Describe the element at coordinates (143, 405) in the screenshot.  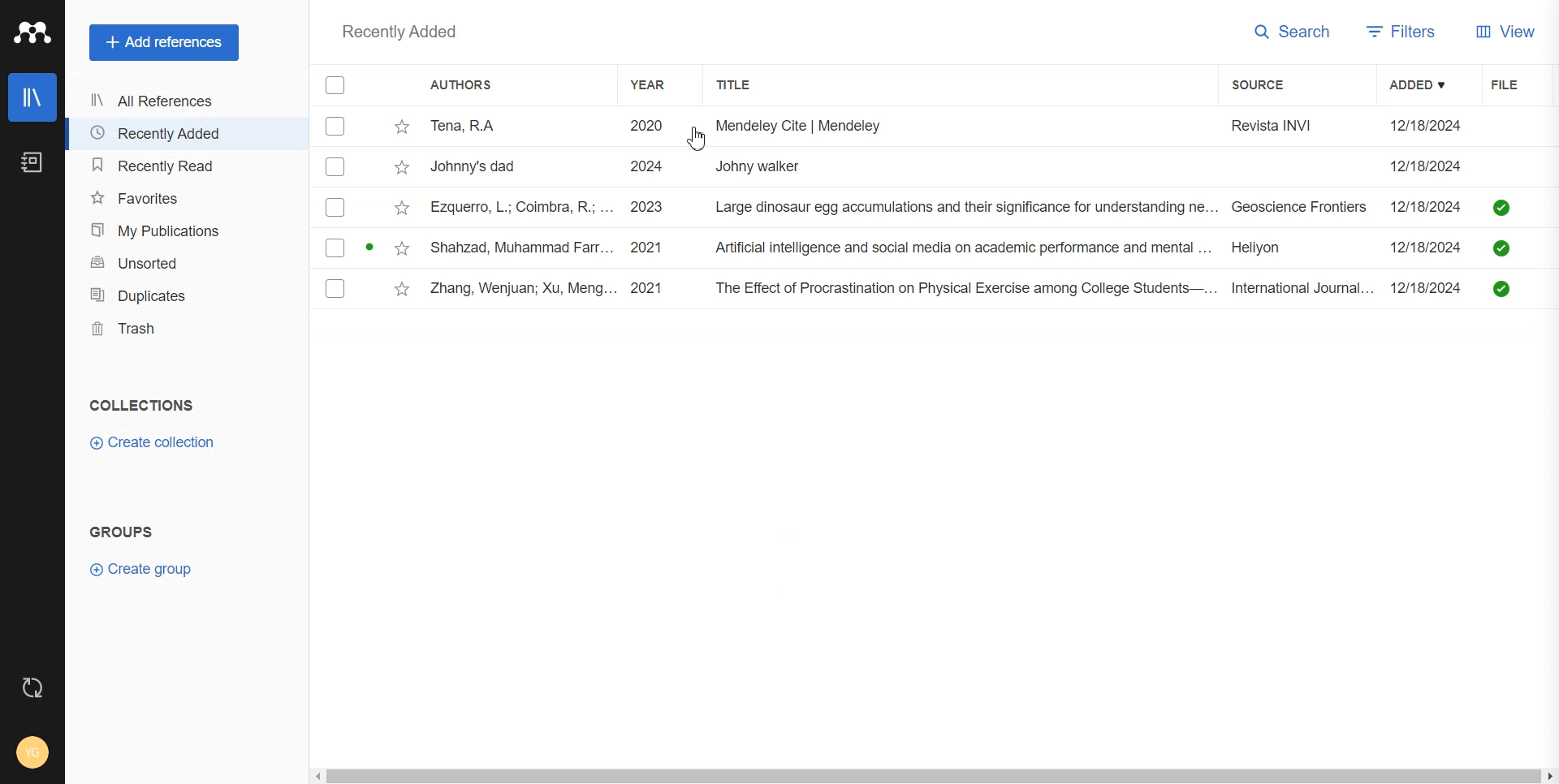
I see `COLLECTIONS` at that location.